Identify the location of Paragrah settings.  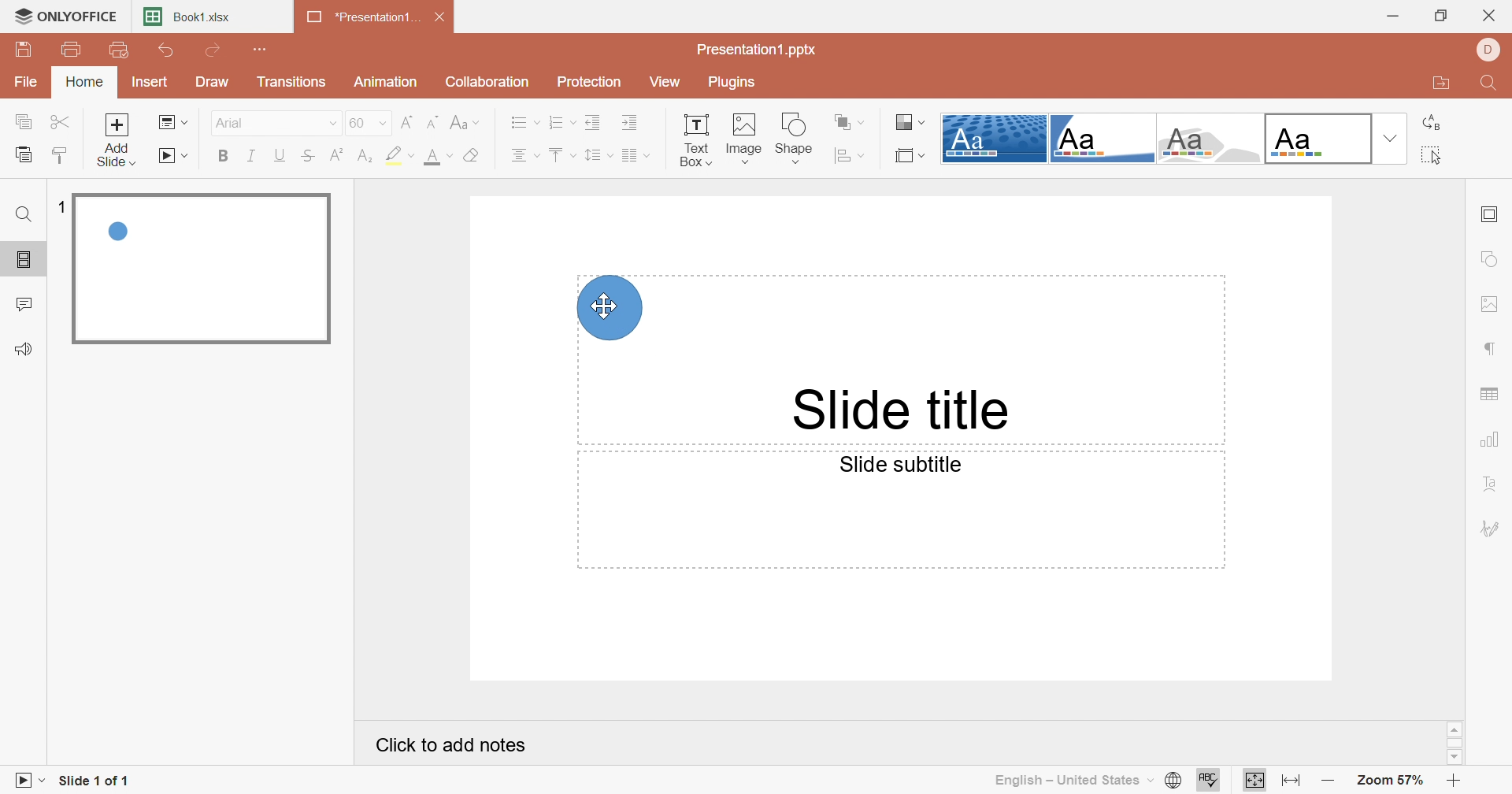
(1492, 347).